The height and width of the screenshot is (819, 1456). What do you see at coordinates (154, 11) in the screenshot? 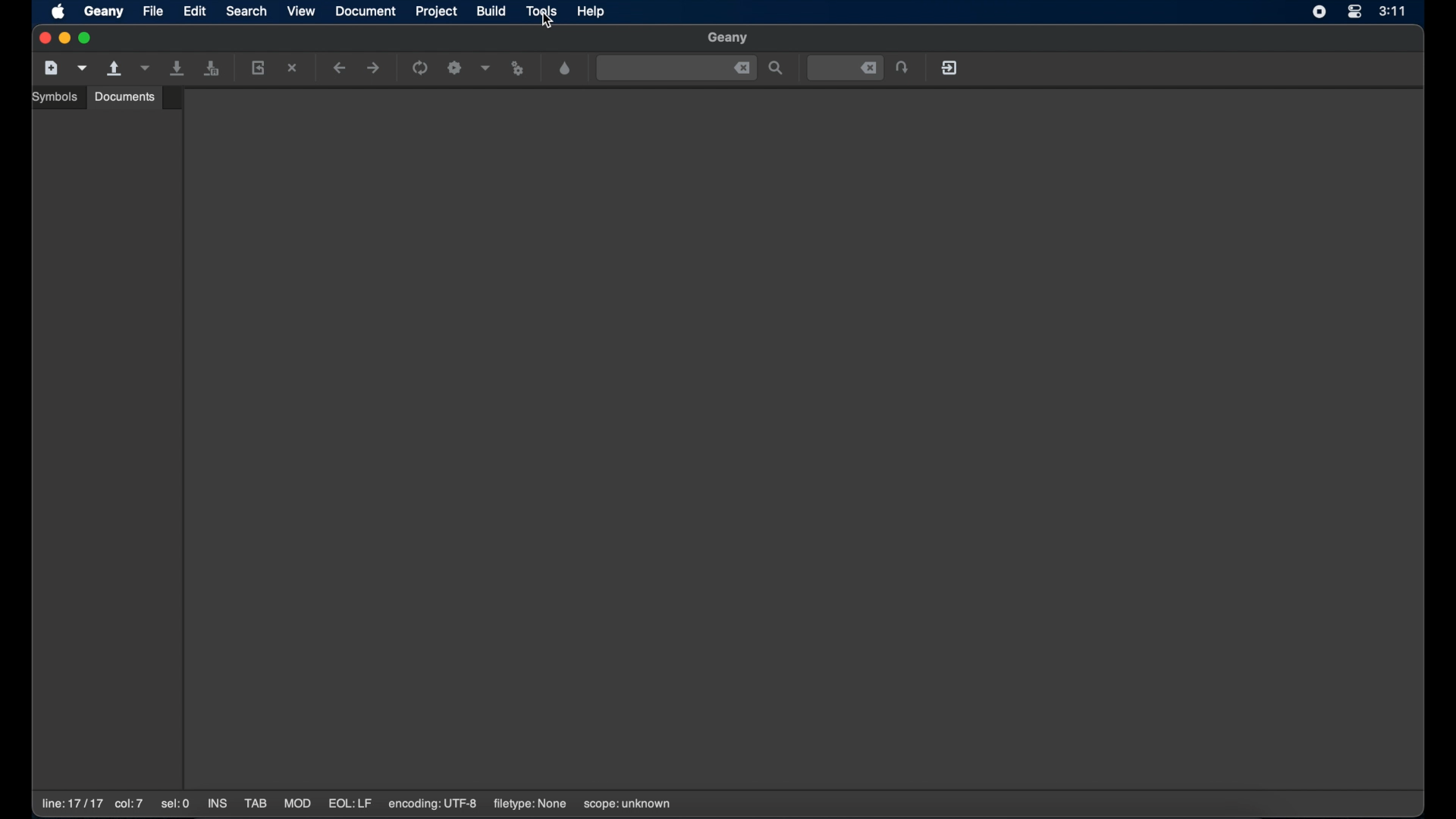
I see `file` at bounding box center [154, 11].